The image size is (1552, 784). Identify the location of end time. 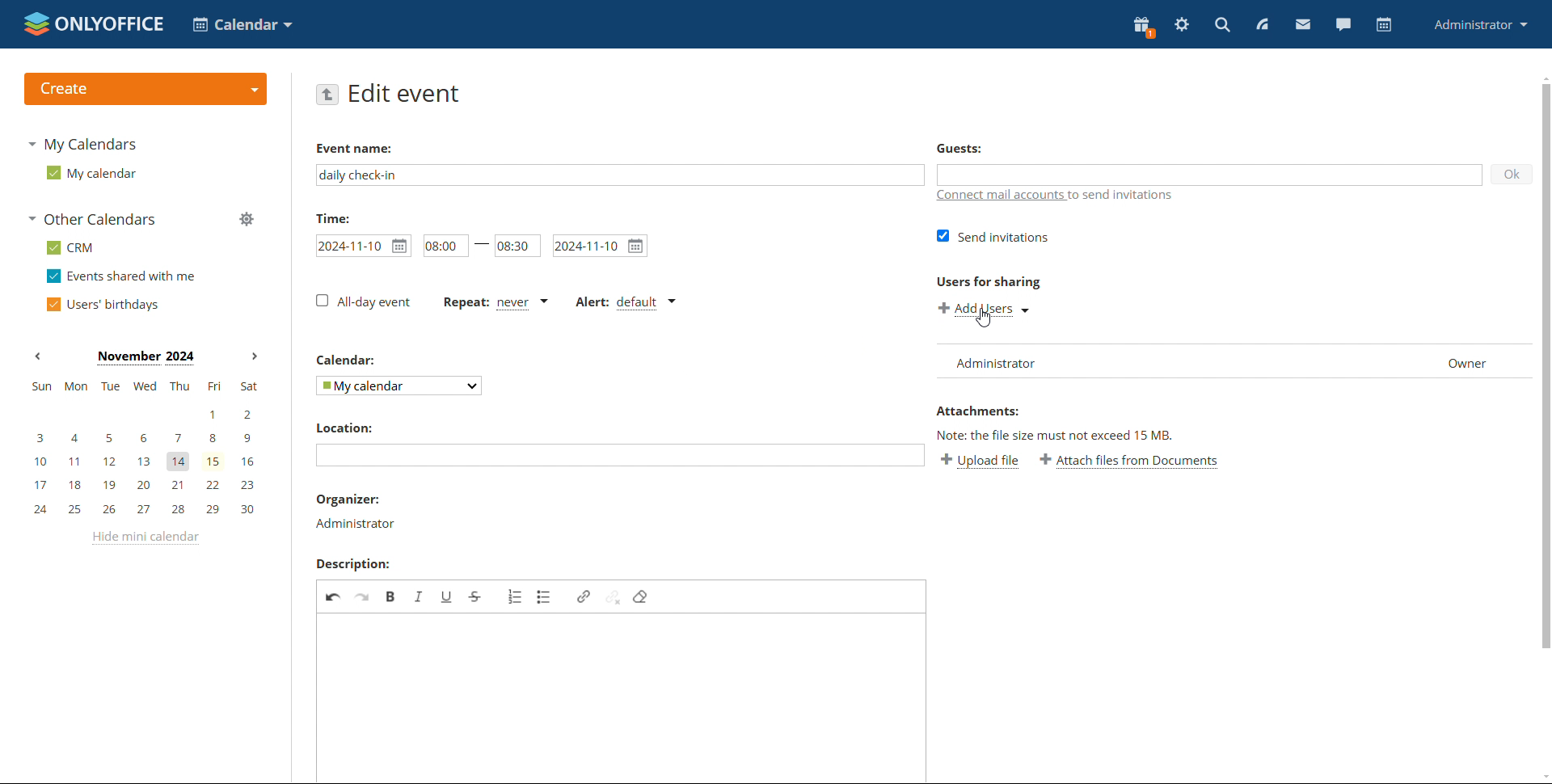
(517, 243).